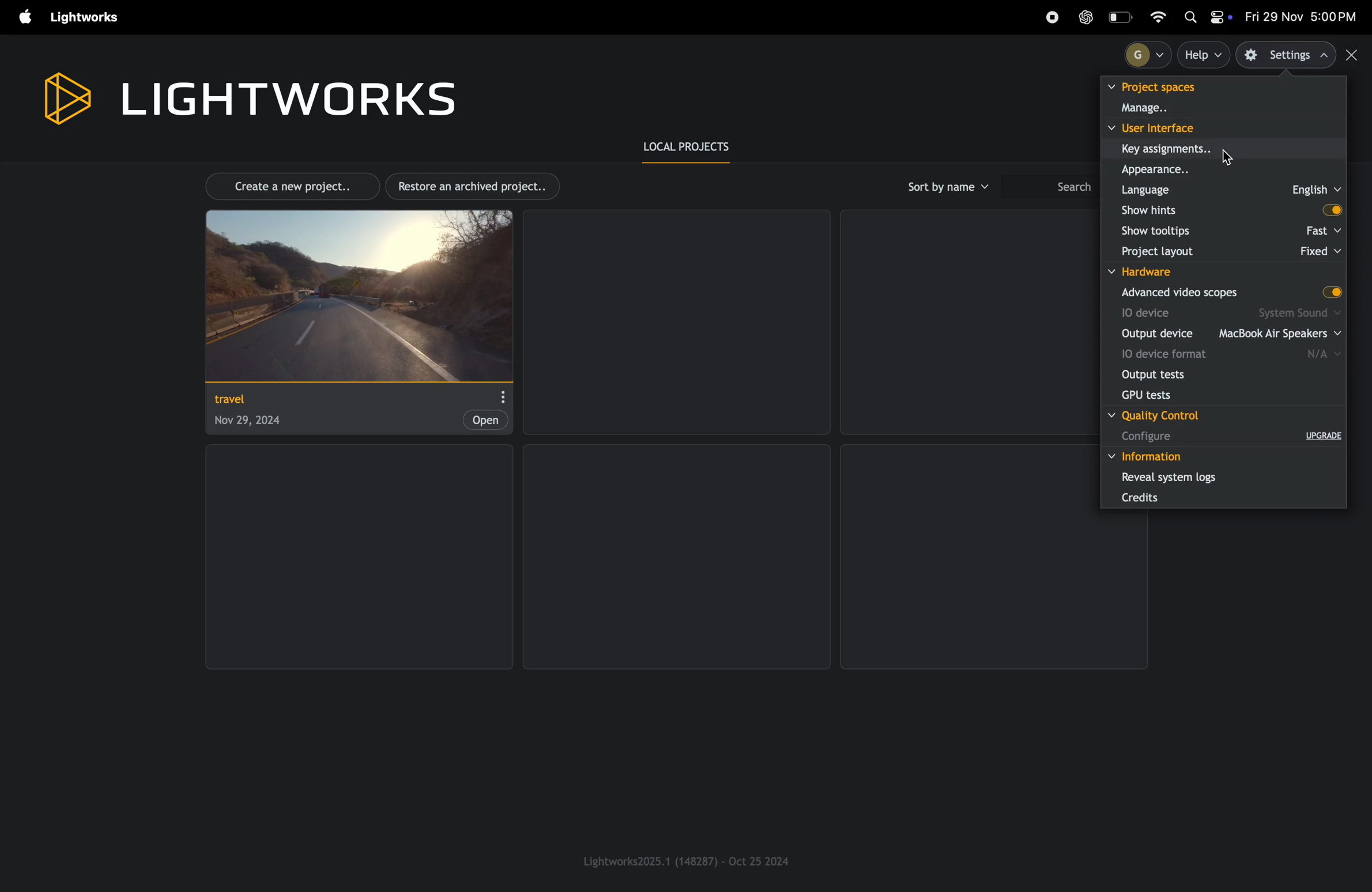 Image resolution: width=1372 pixels, height=892 pixels. Describe the element at coordinates (946, 187) in the screenshot. I see `sort by name` at that location.